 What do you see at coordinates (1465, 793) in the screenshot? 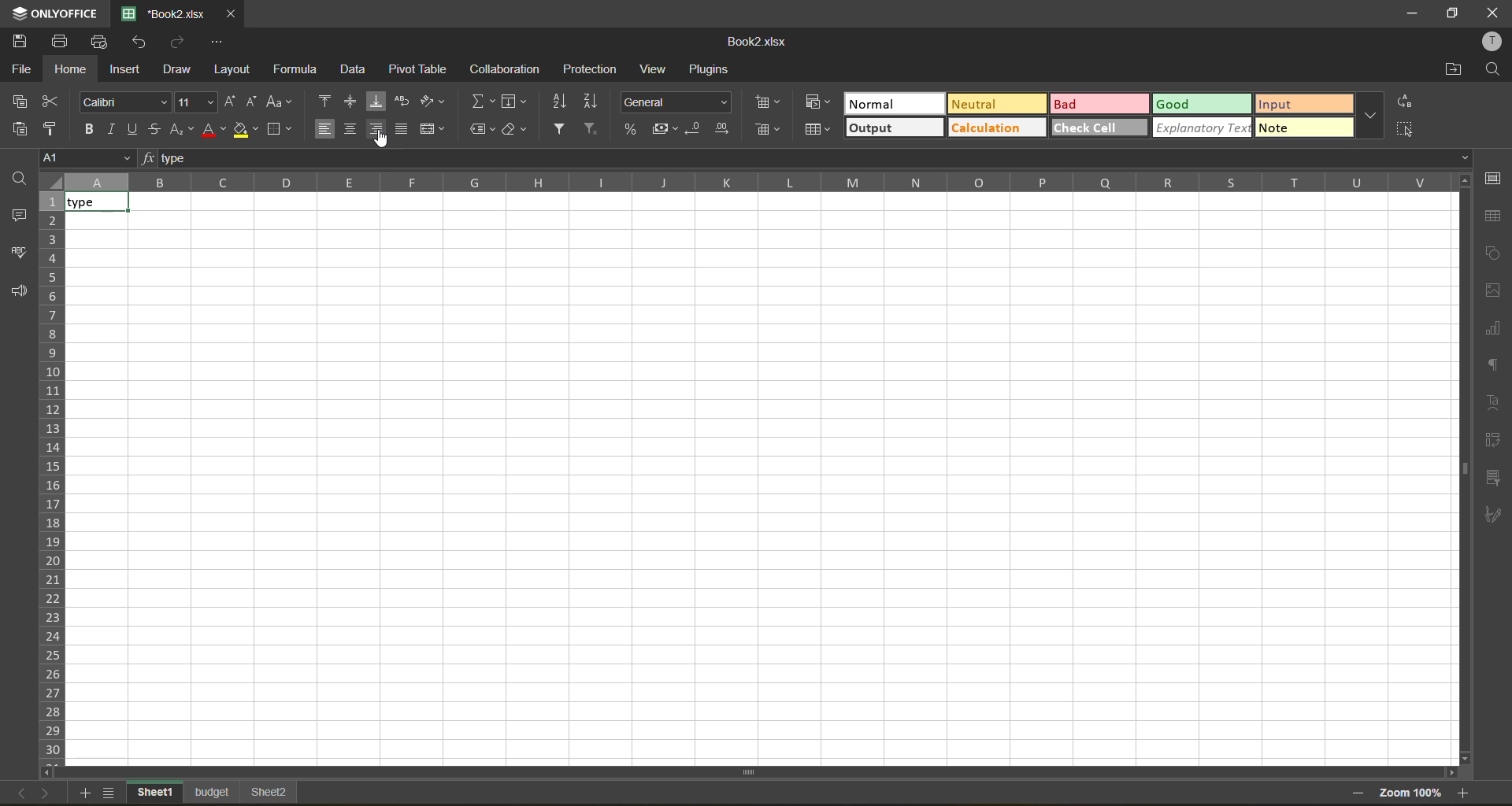
I see `zoom in` at bounding box center [1465, 793].